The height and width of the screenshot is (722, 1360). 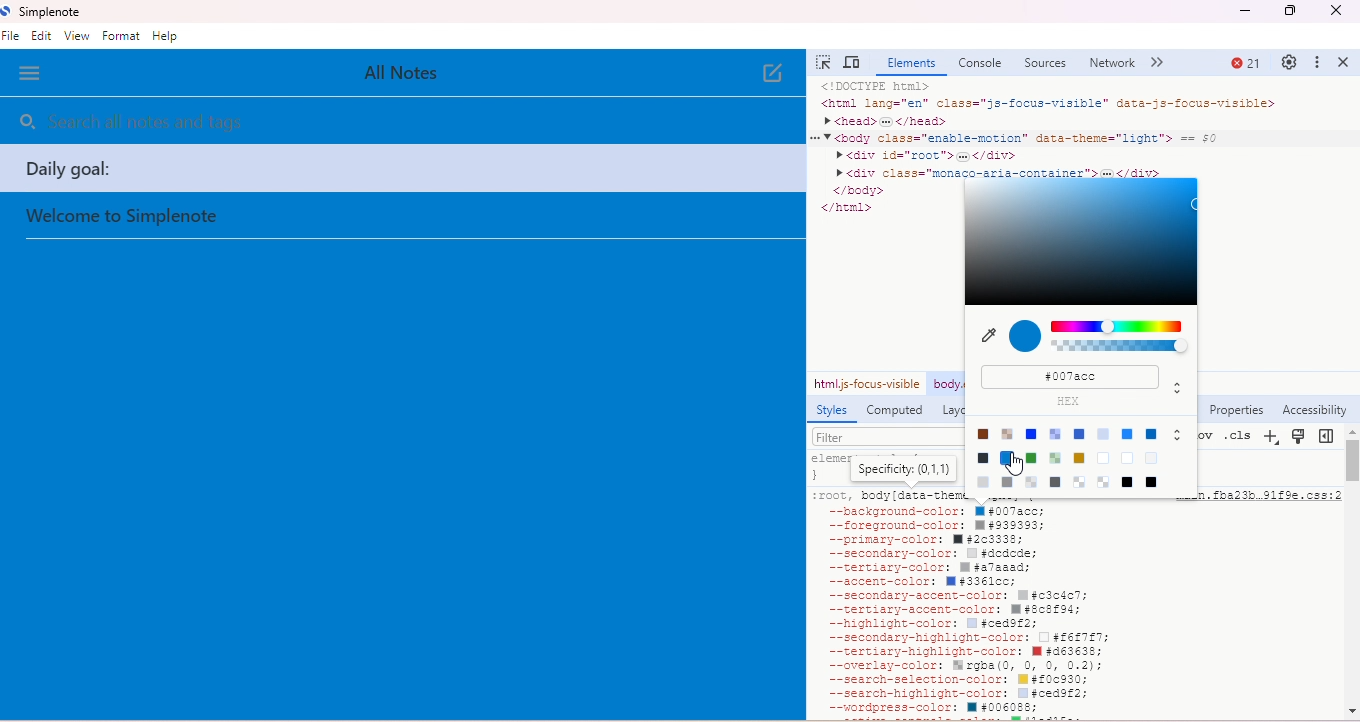 What do you see at coordinates (926, 568) in the screenshot?
I see `tertiary color` at bounding box center [926, 568].